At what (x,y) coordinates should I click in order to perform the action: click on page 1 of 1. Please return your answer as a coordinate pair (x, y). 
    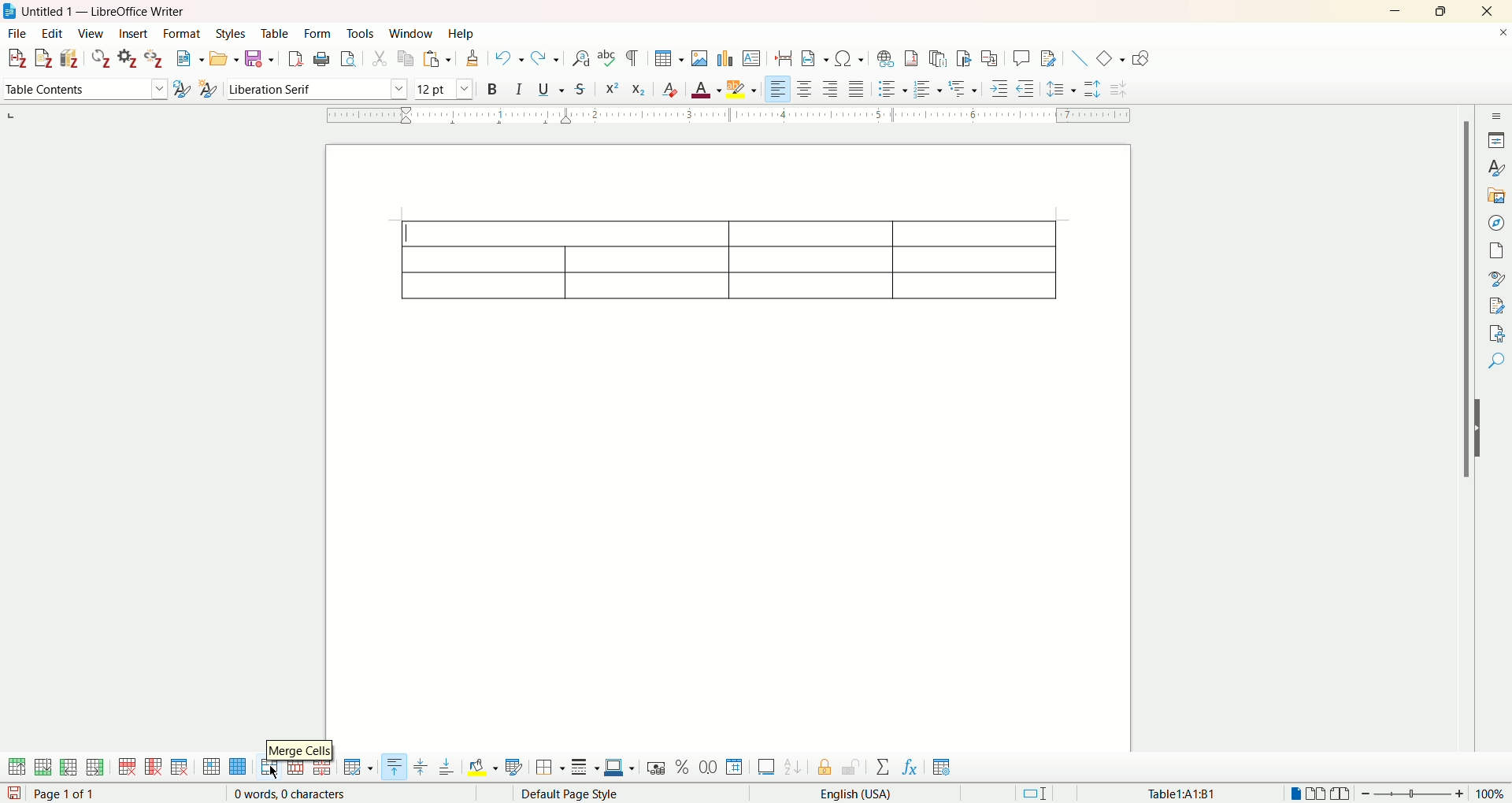
    Looking at the image, I should click on (80, 794).